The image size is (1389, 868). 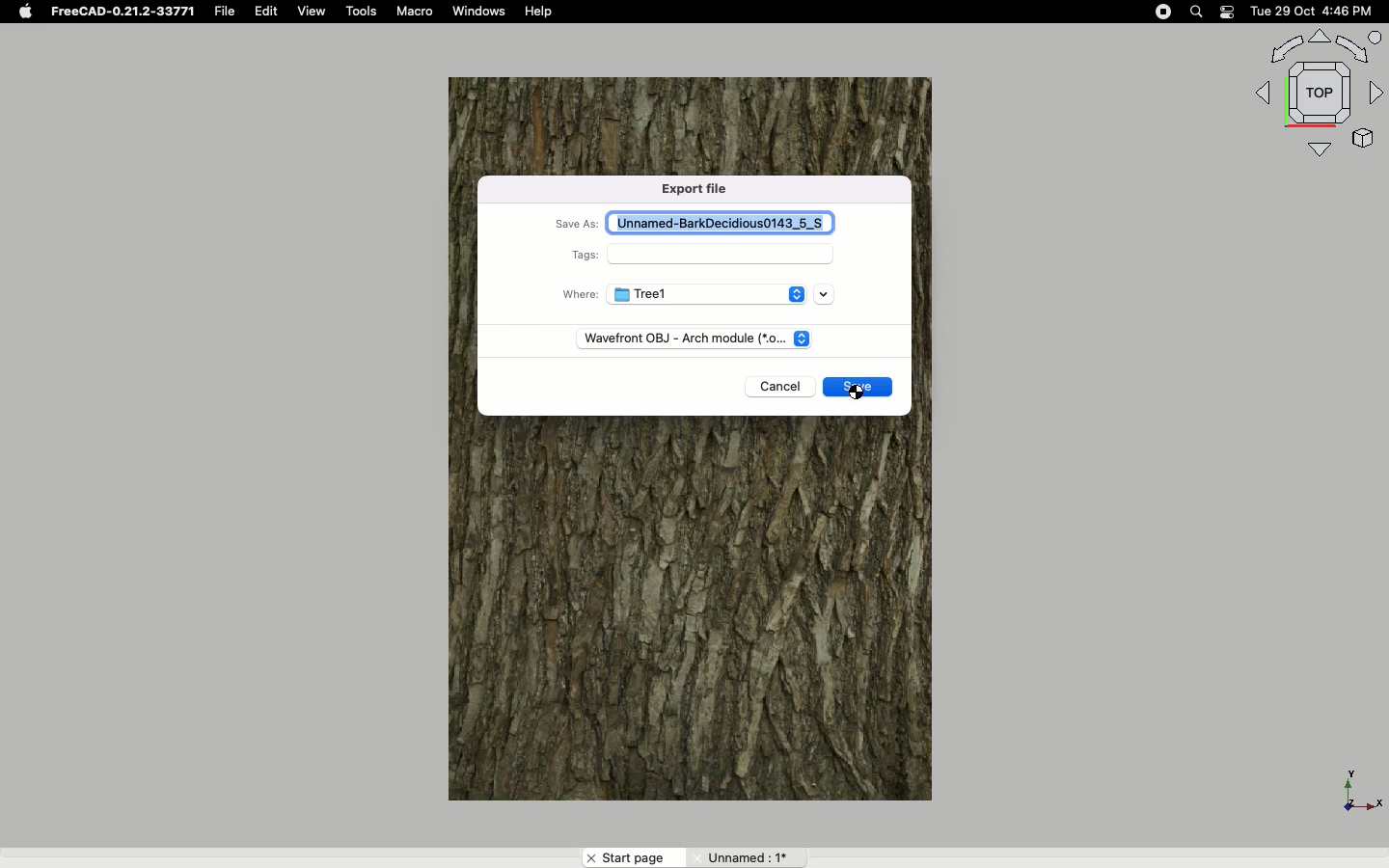 I want to click on Tools, so click(x=364, y=12).